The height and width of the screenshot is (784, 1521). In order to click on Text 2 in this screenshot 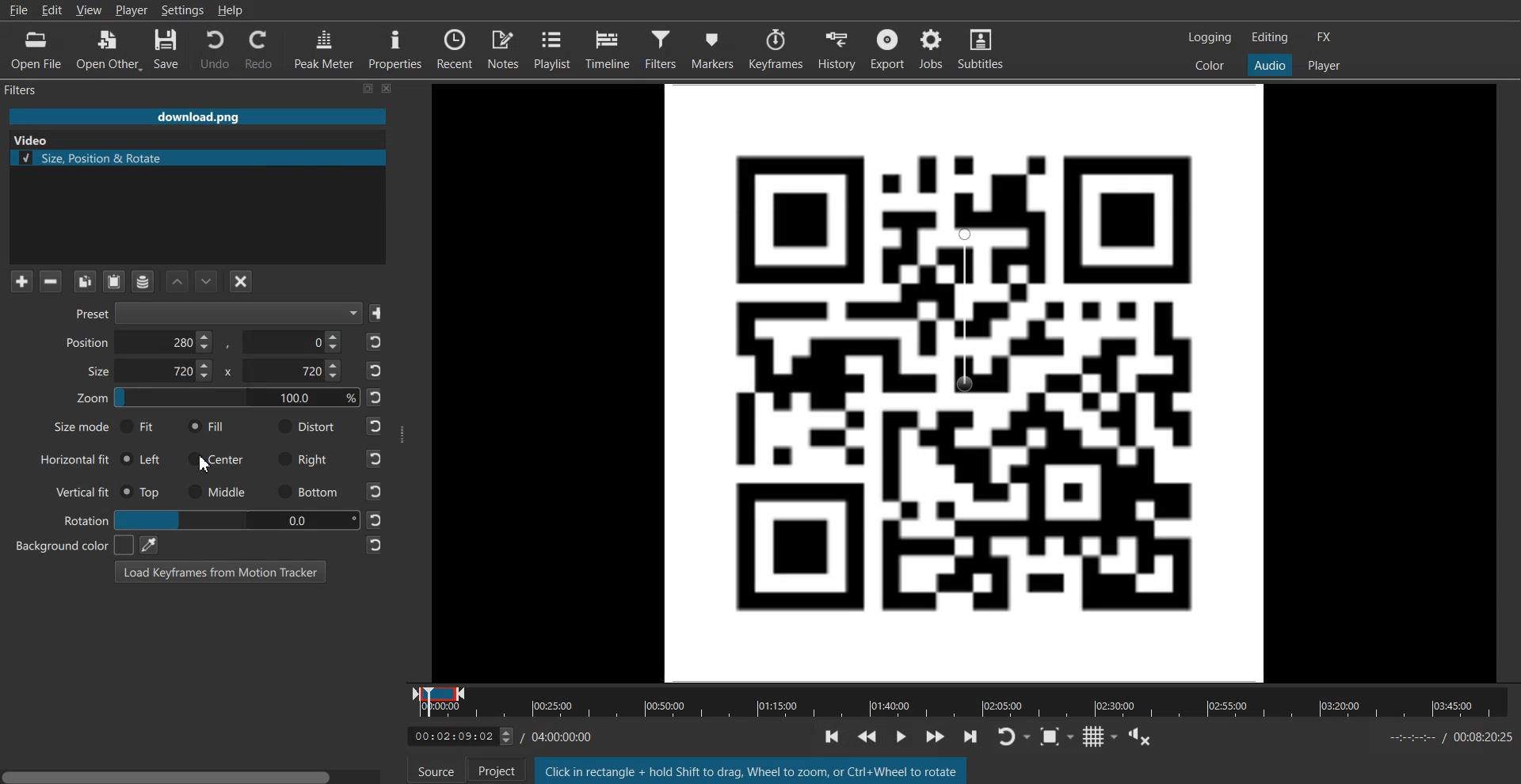, I will do `click(29, 140)`.